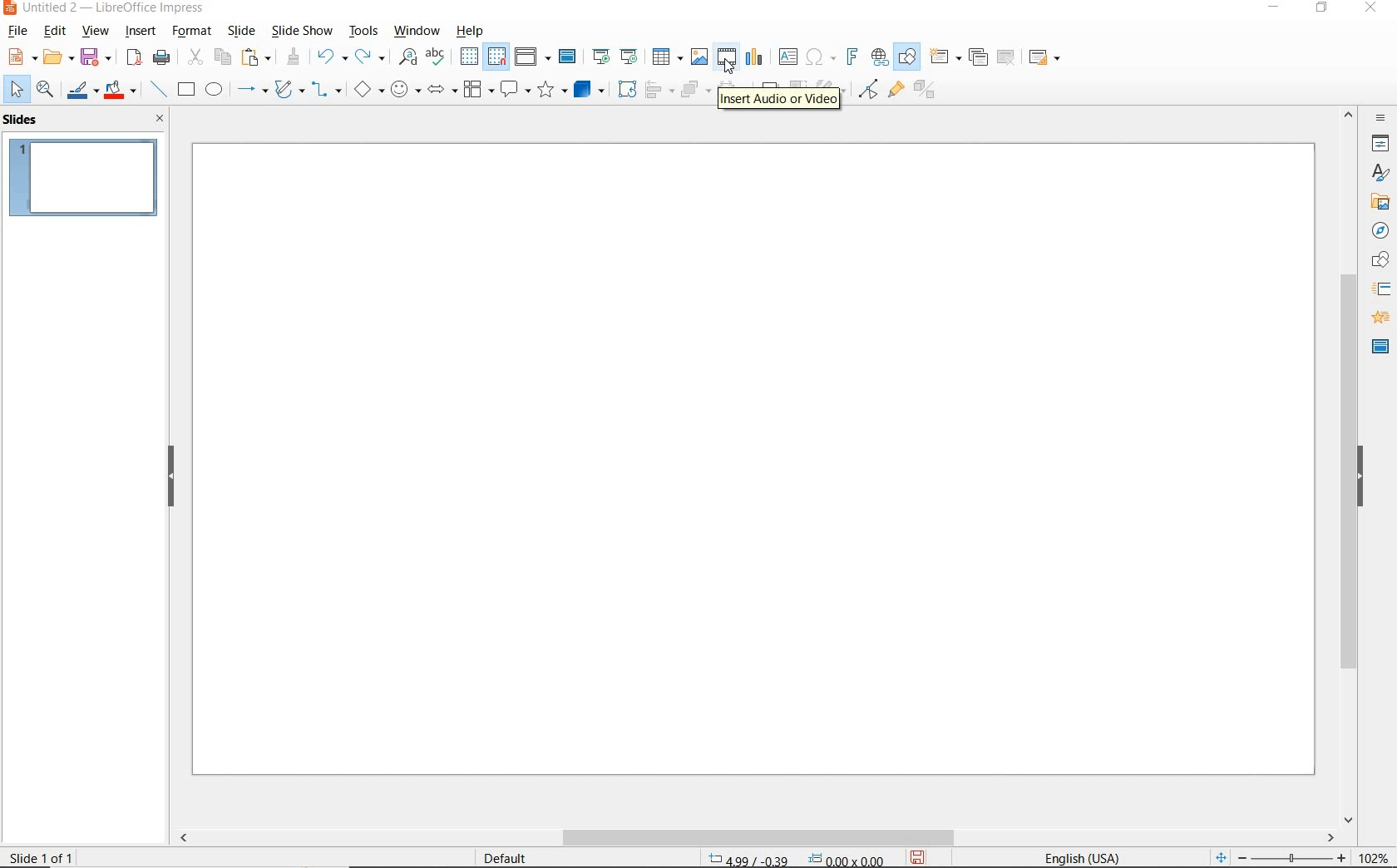 This screenshot has width=1397, height=868. I want to click on INSERT, so click(138, 32).